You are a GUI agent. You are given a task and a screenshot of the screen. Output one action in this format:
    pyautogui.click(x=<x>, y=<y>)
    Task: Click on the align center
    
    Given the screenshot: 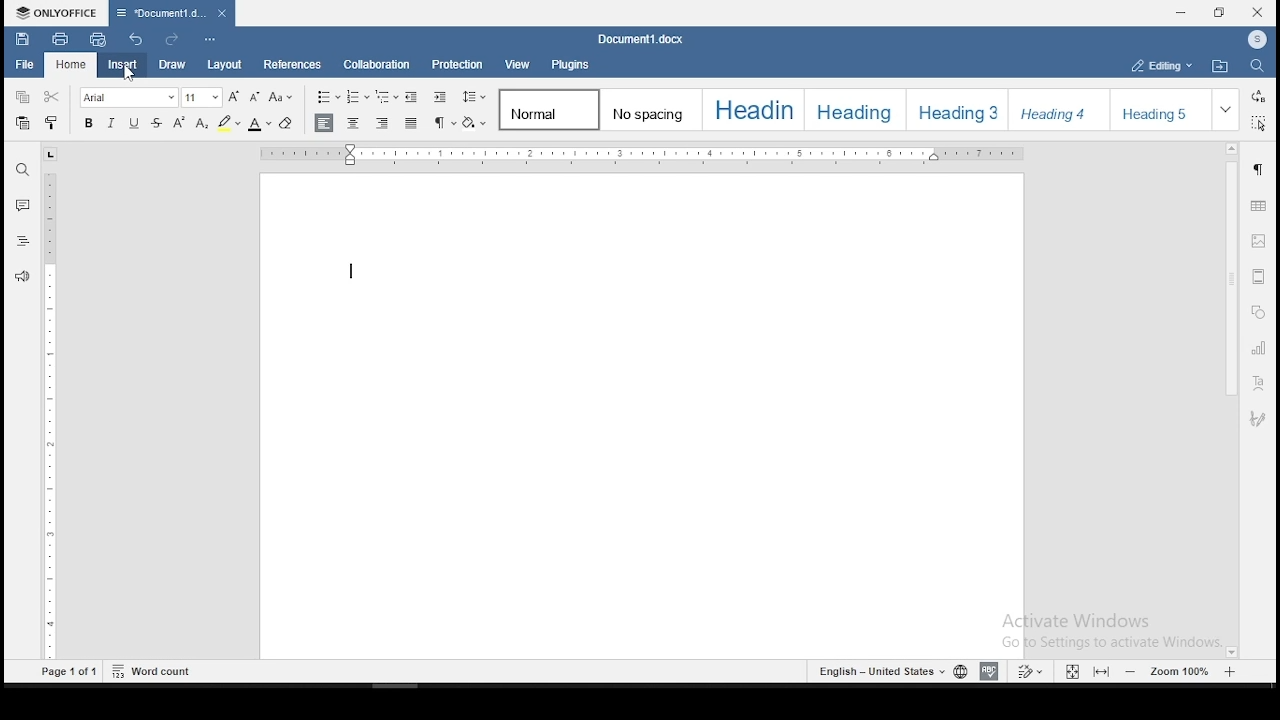 What is the action you would take?
    pyautogui.click(x=355, y=122)
    